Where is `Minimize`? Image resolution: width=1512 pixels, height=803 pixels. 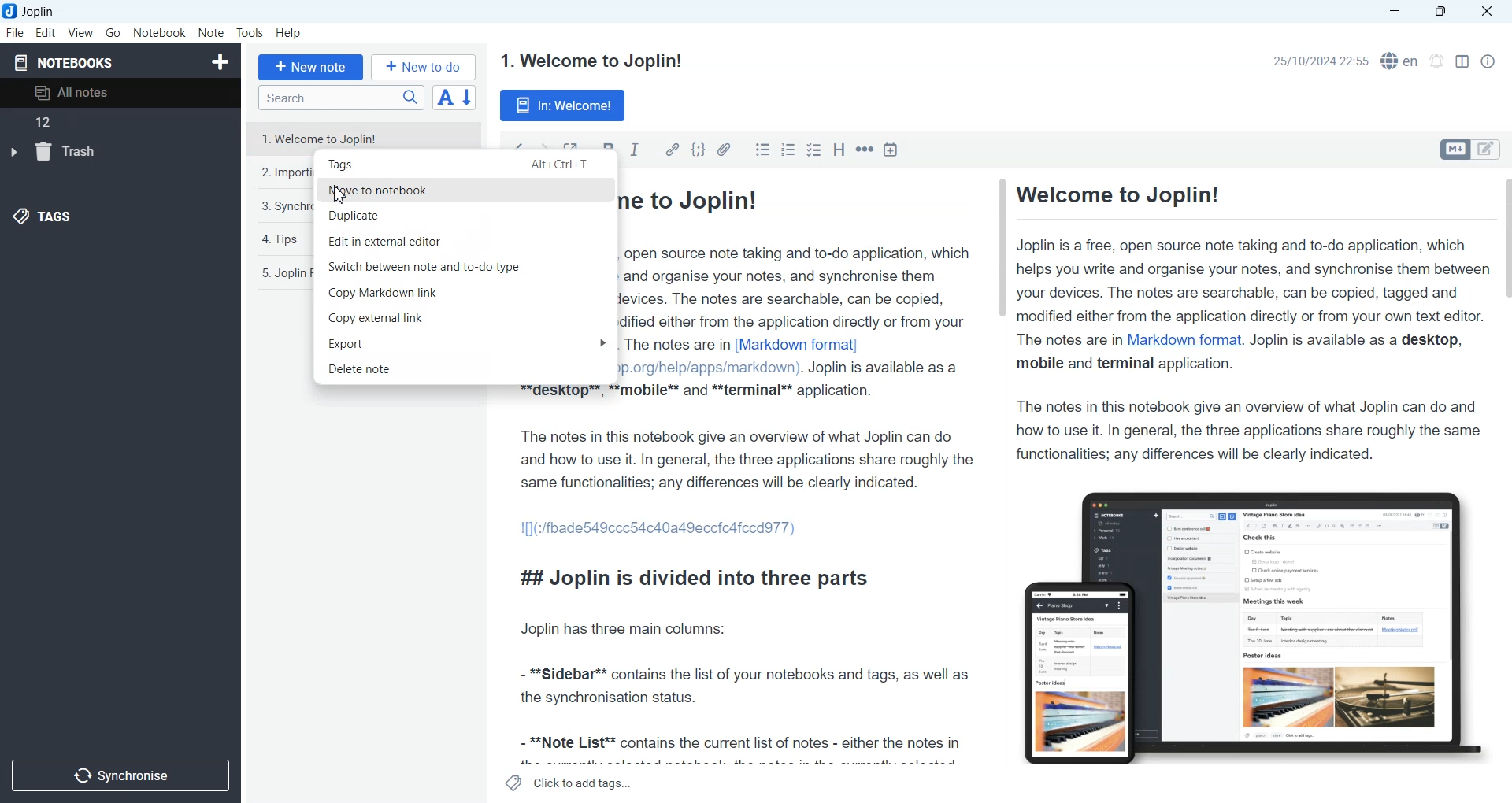 Minimize is located at coordinates (1395, 12).